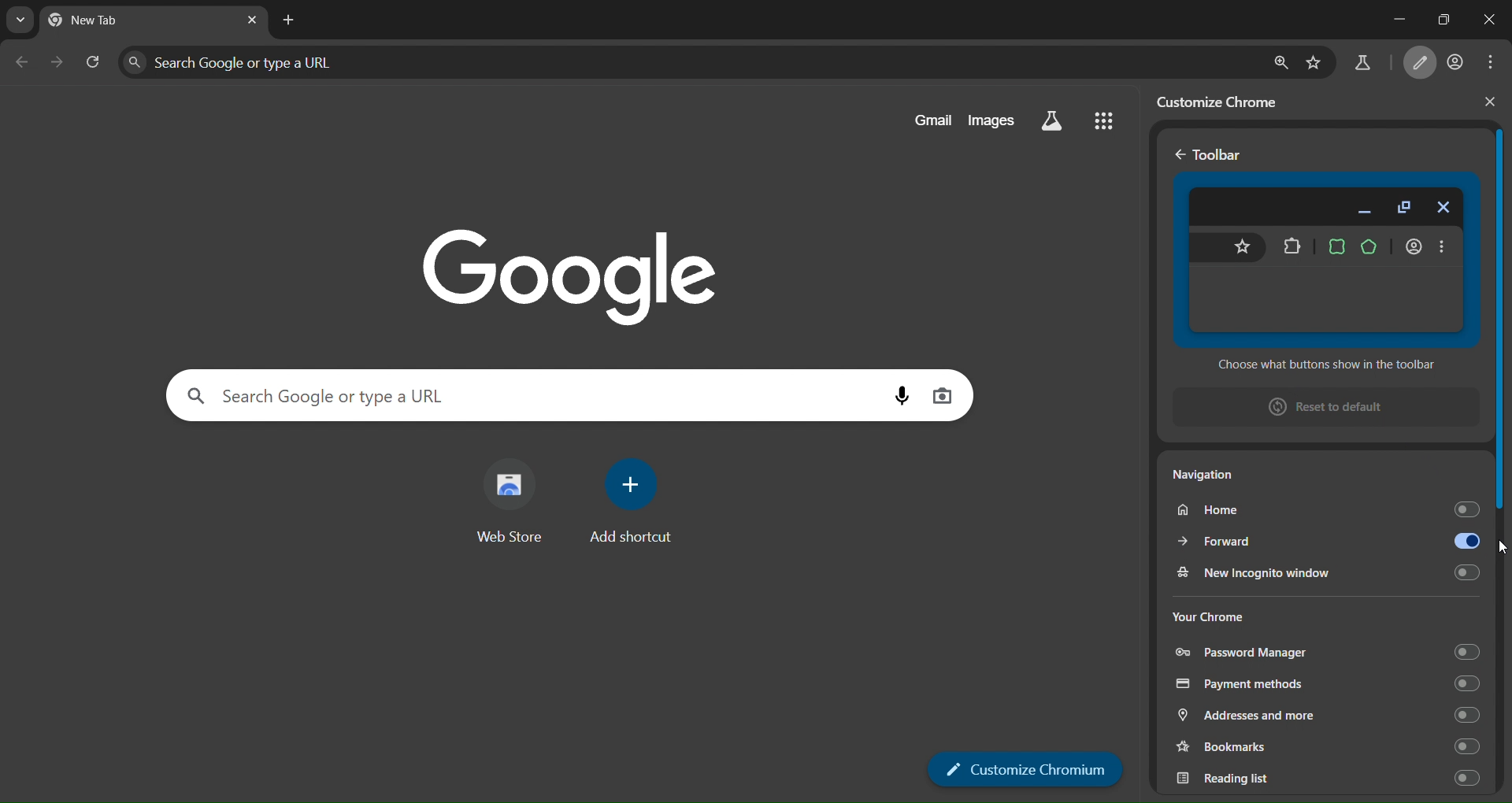 The height and width of the screenshot is (803, 1512). I want to click on reload page, so click(93, 60).